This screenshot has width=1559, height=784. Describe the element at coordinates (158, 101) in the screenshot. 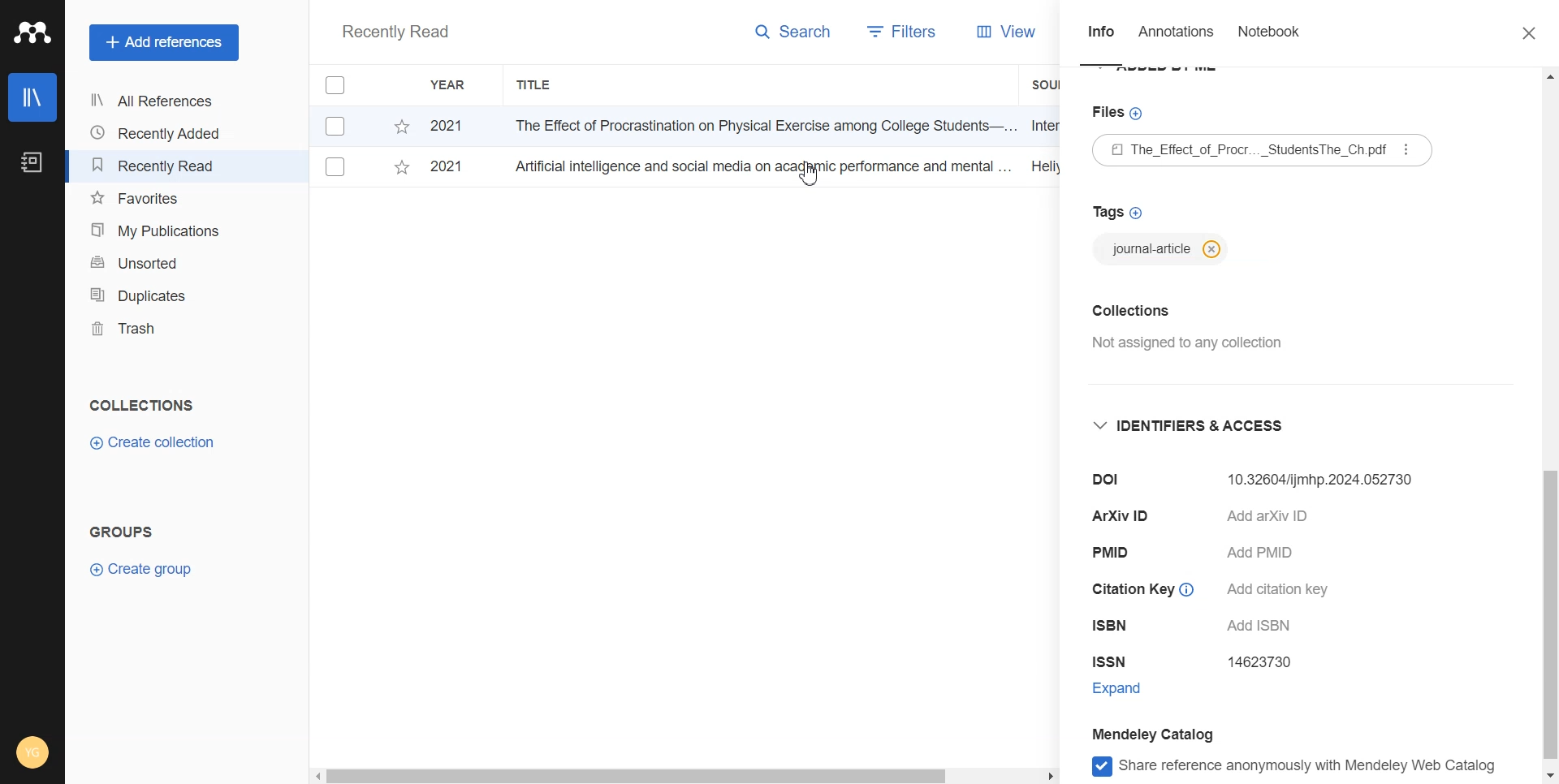

I see `All References` at that location.